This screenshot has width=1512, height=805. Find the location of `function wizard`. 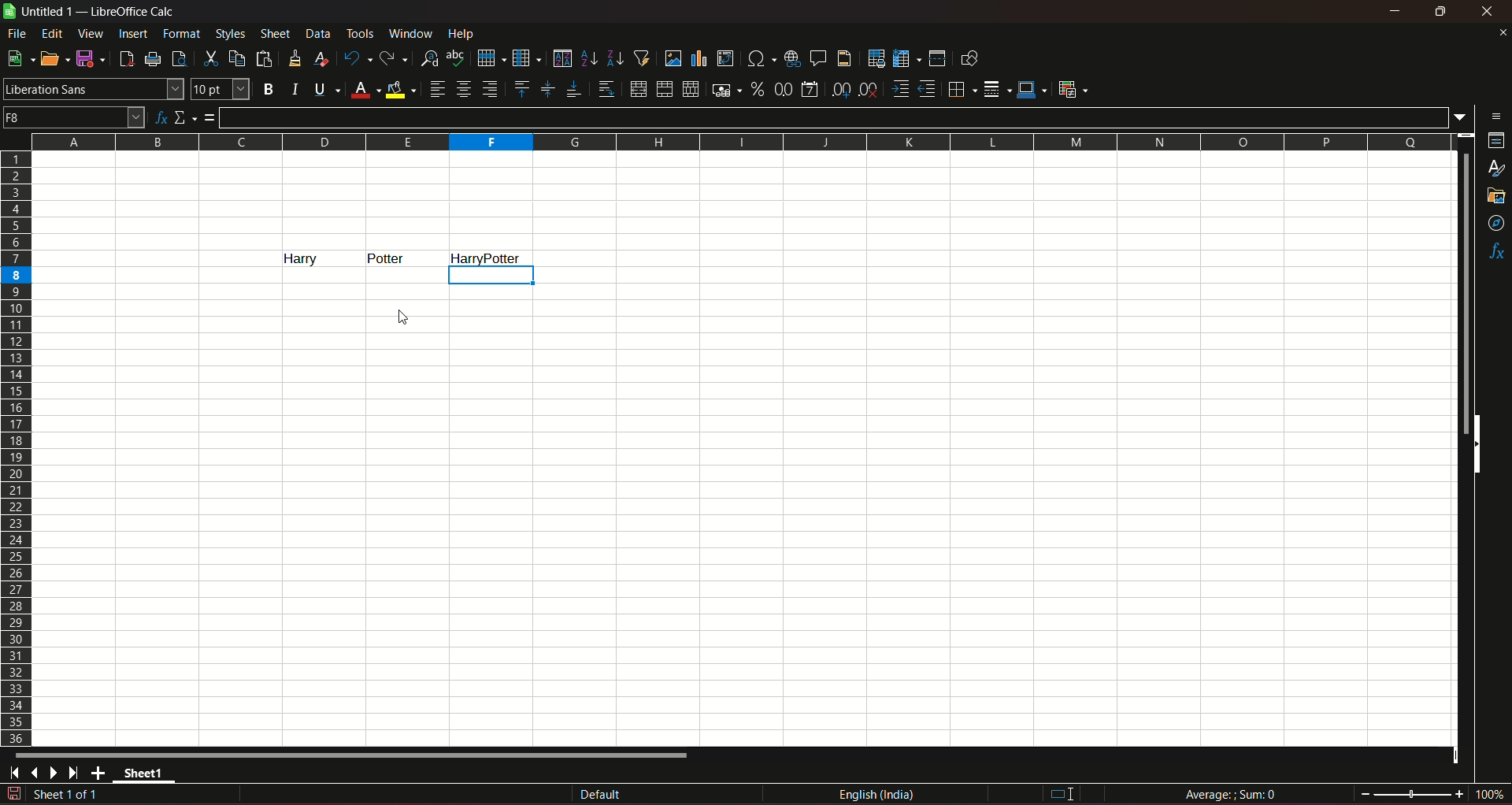

function wizard is located at coordinates (159, 118).